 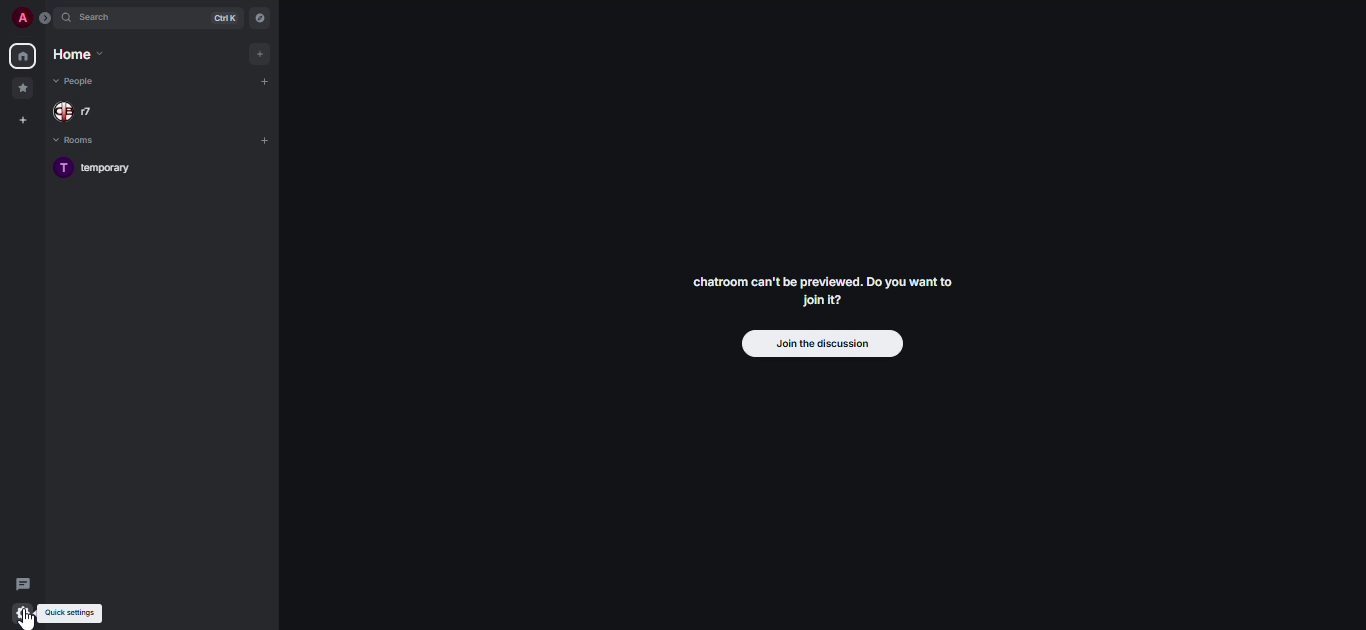 What do you see at coordinates (220, 19) in the screenshot?
I see `ctrl K` at bounding box center [220, 19].